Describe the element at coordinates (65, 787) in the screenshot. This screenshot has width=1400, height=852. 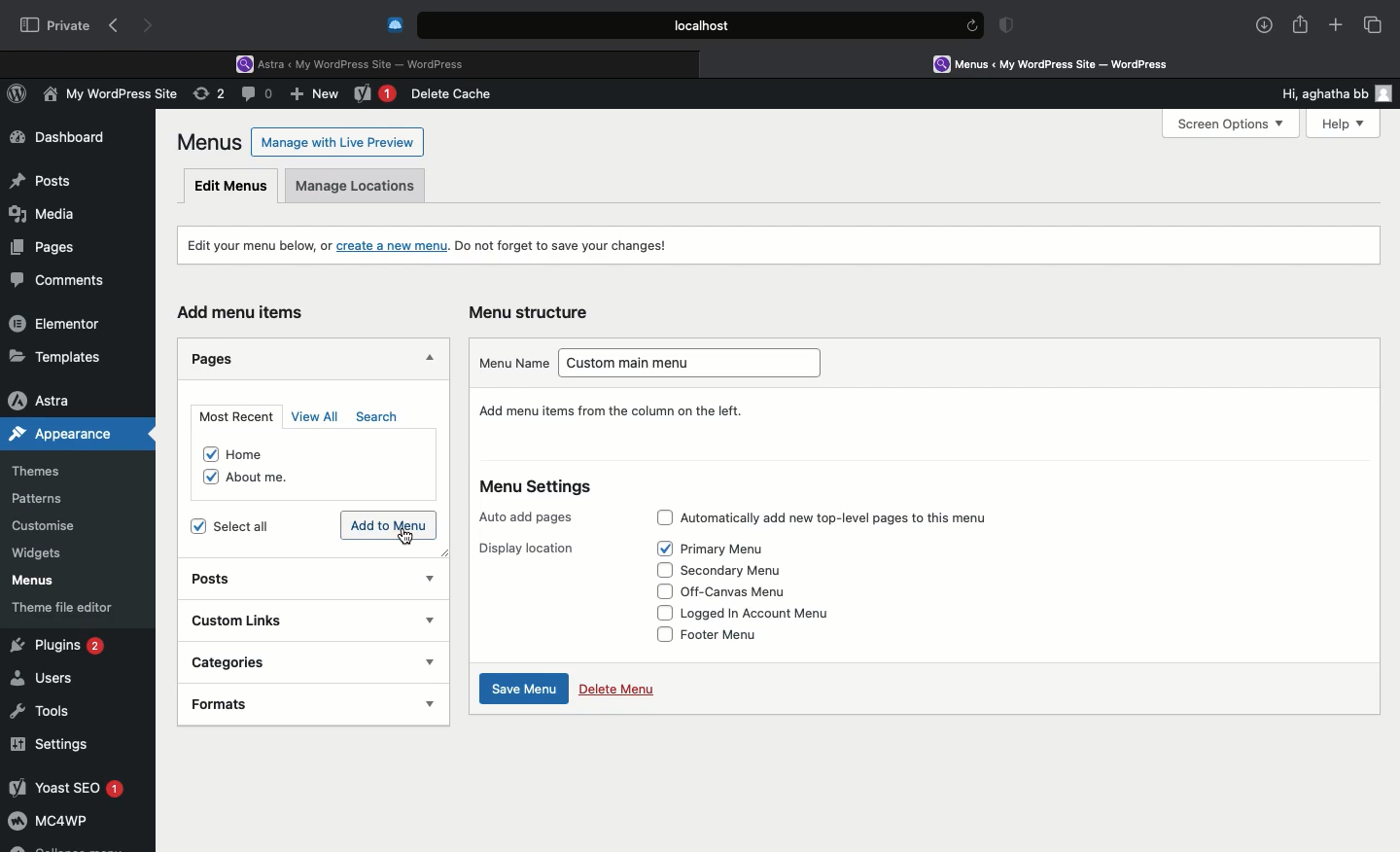
I see `Yoast SEO 1` at that location.